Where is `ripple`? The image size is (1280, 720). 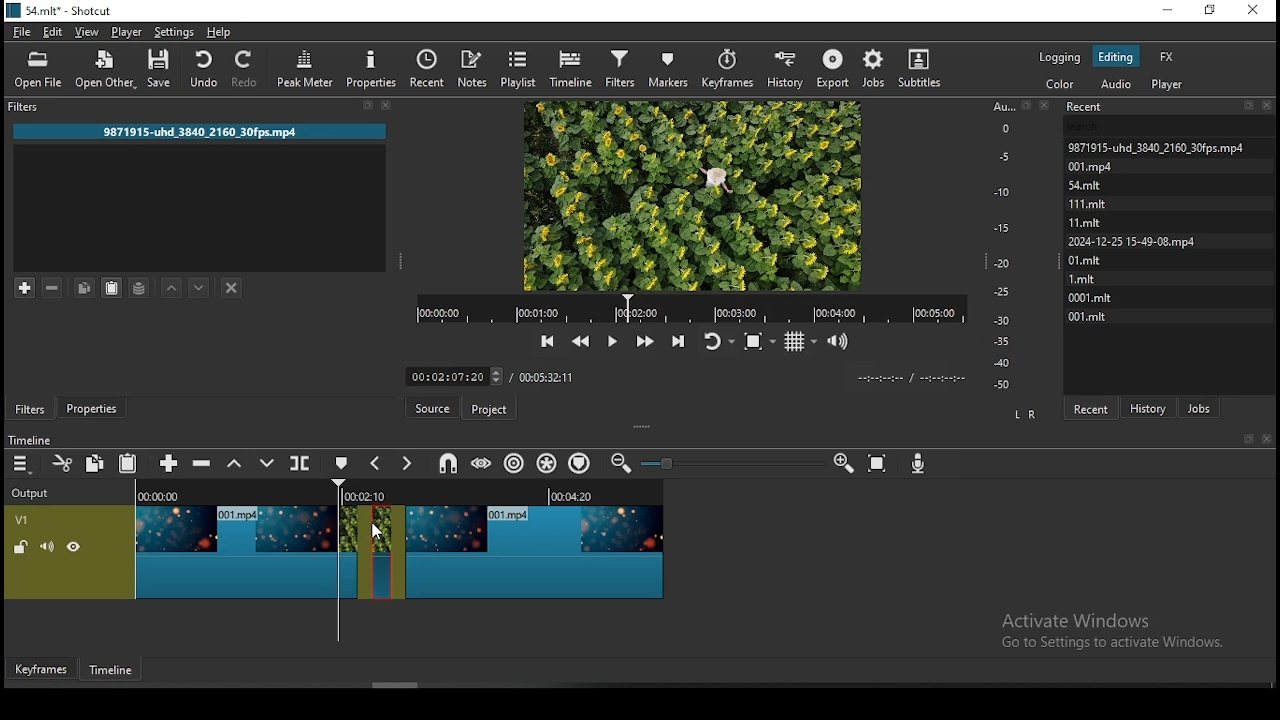 ripple is located at coordinates (511, 463).